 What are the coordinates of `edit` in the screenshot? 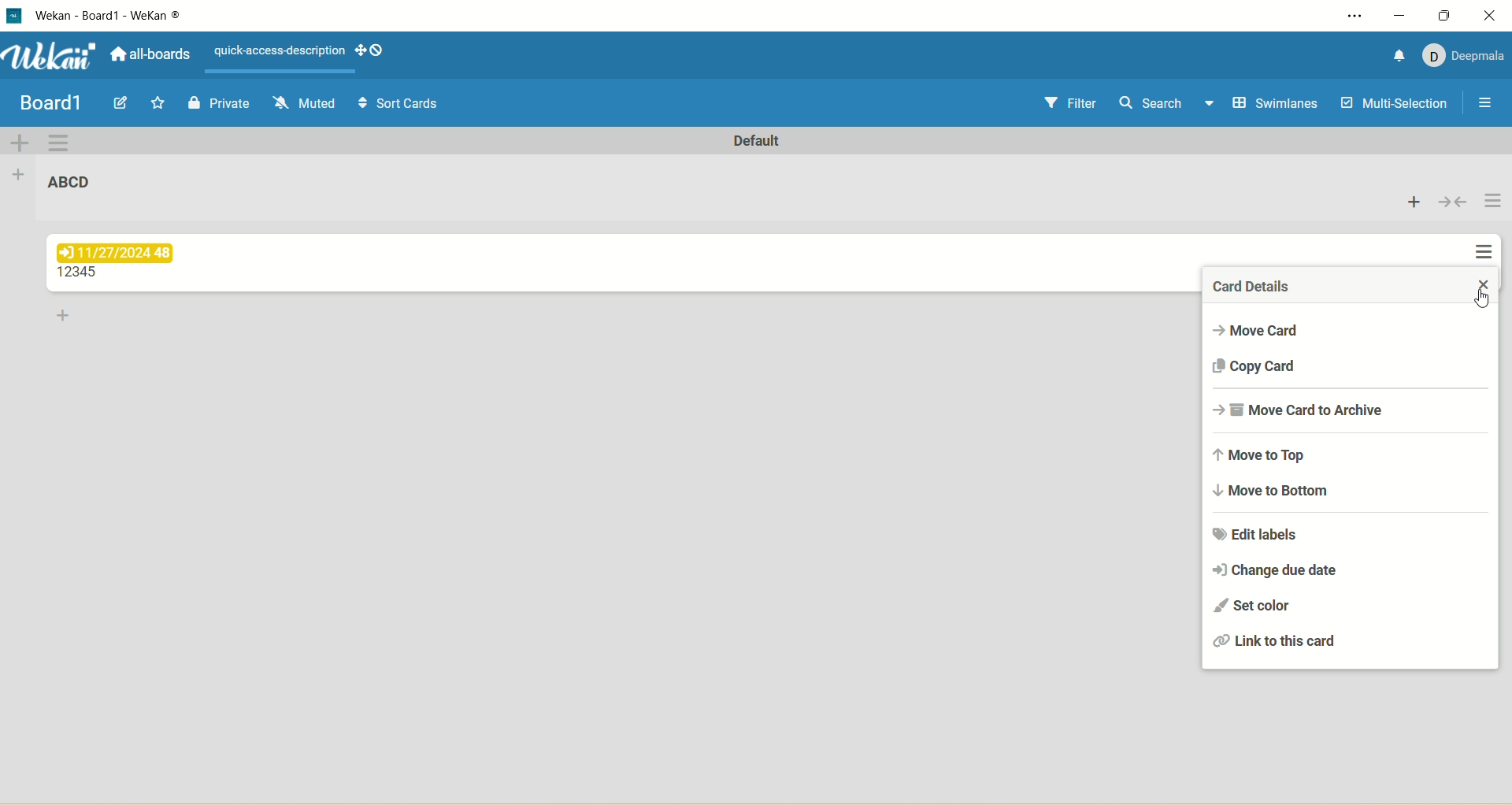 It's located at (124, 103).